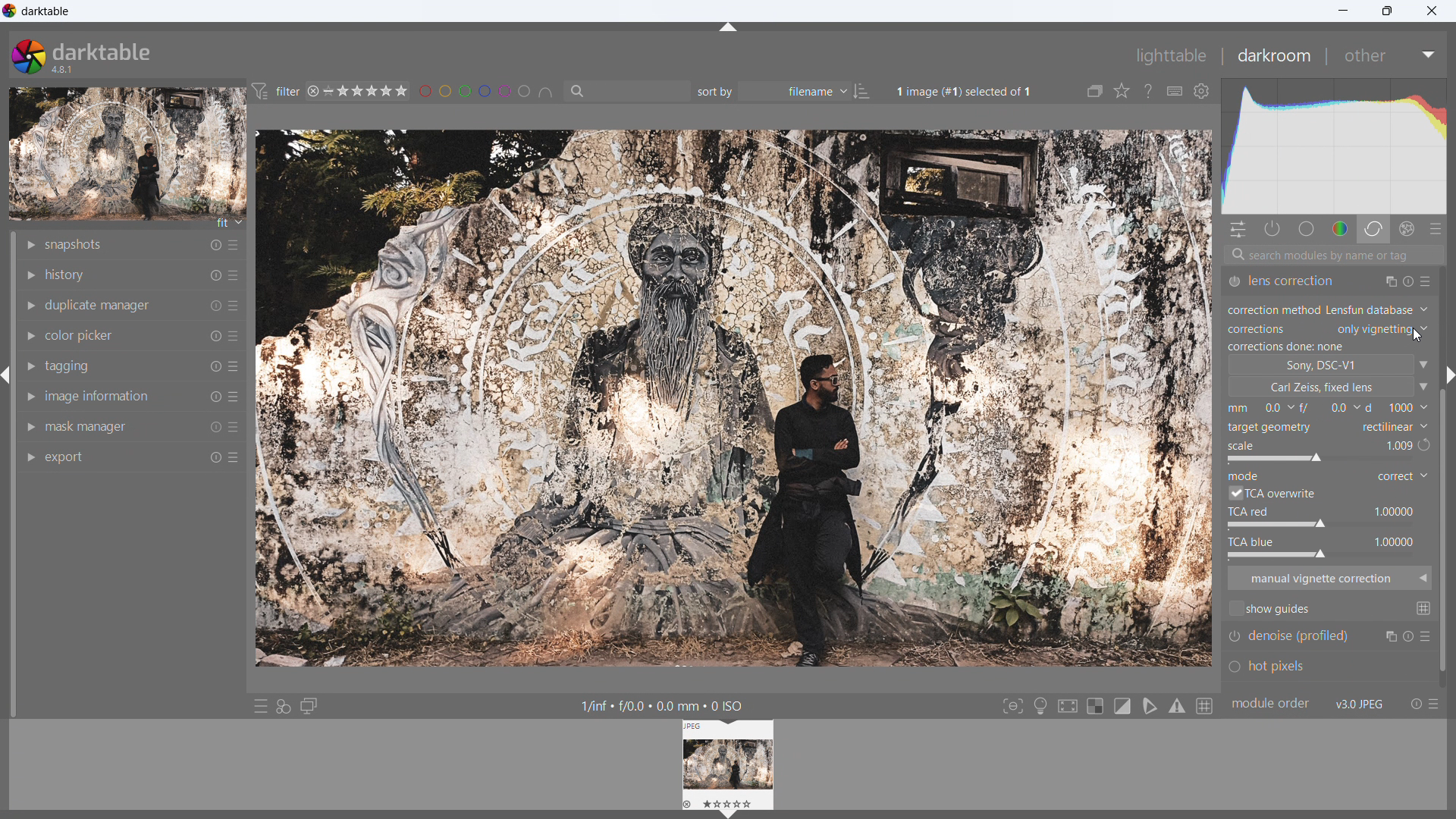 The width and height of the screenshot is (1456, 819). Describe the element at coordinates (284, 706) in the screenshot. I see `quick access for applying styles` at that location.